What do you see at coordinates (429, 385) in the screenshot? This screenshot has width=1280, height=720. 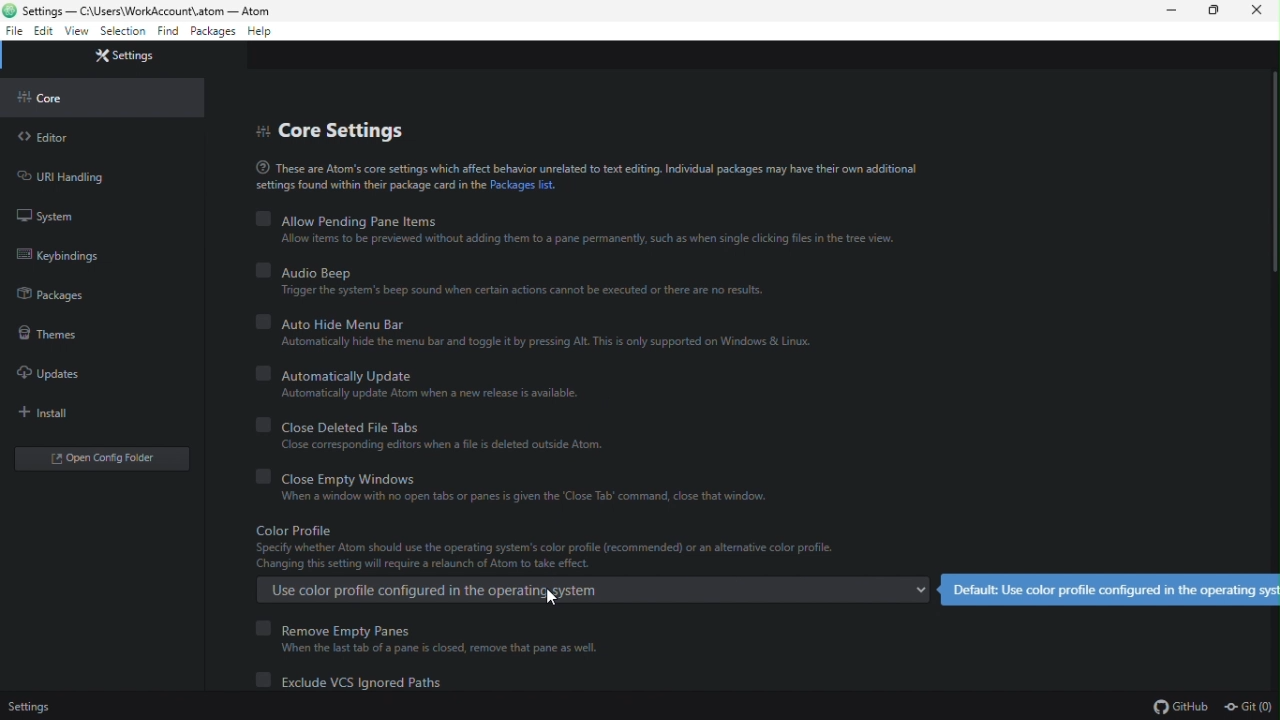 I see `automatically update` at bounding box center [429, 385].